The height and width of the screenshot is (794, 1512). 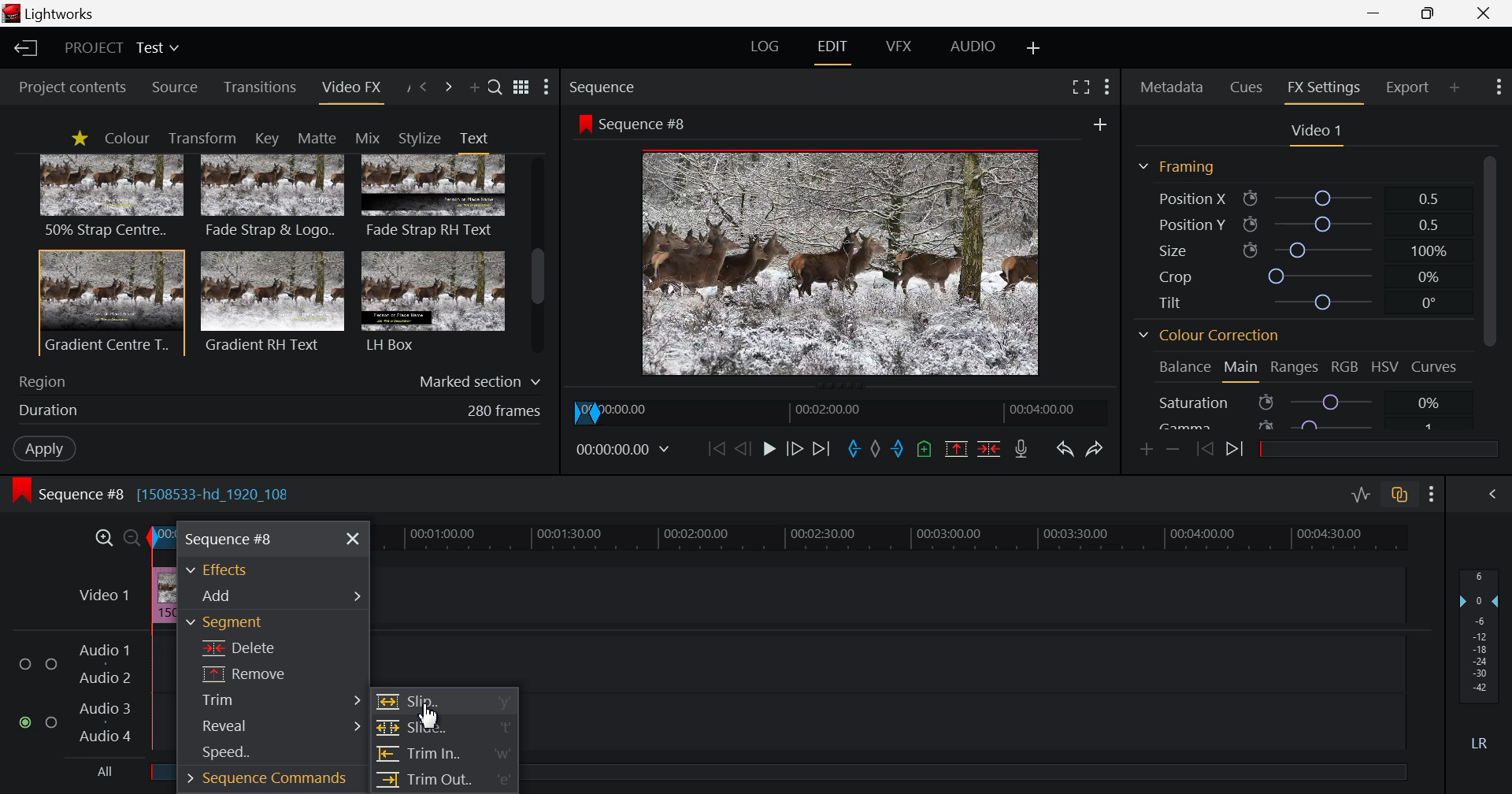 I want to click on Region, so click(x=280, y=378).